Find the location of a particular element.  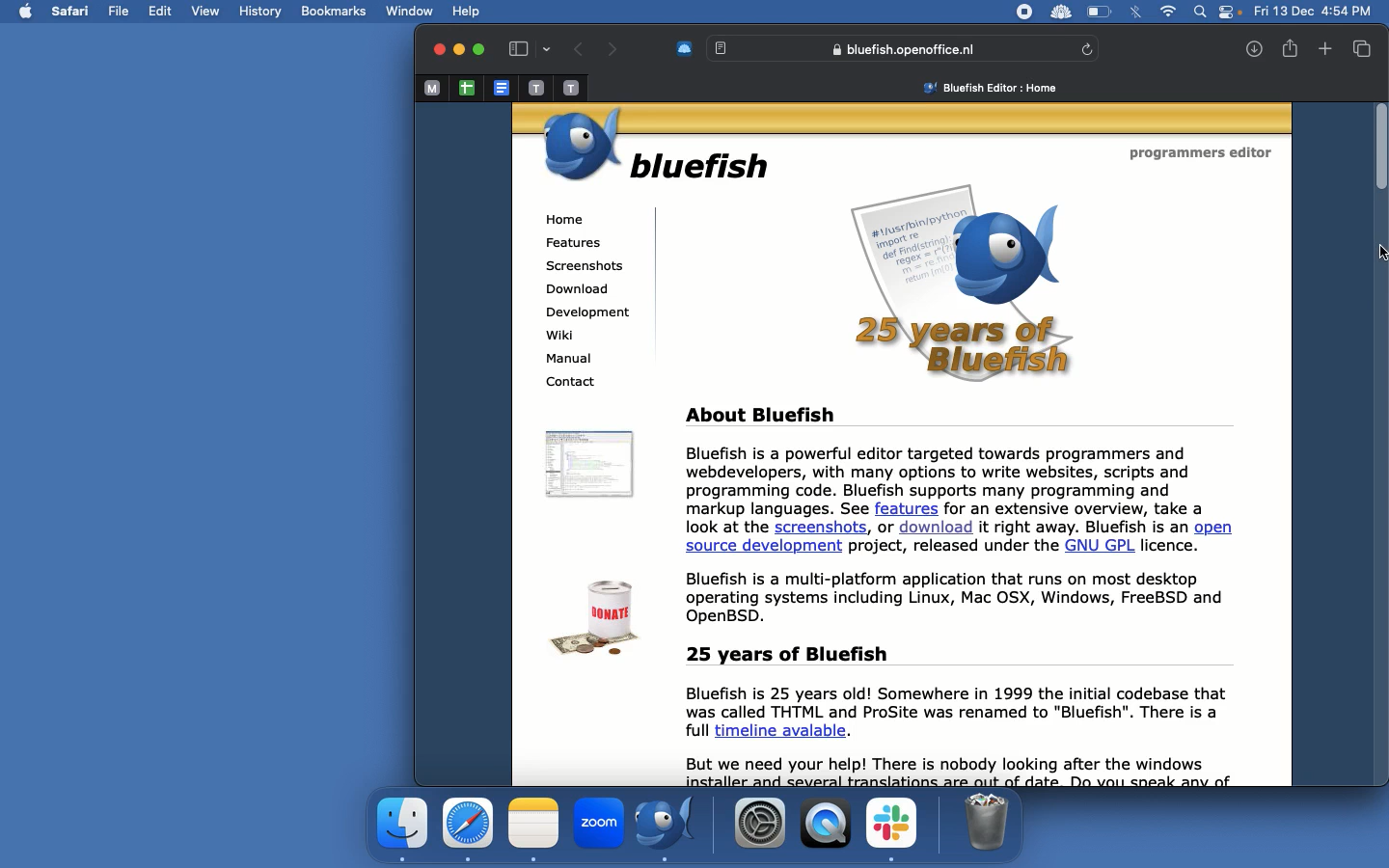

Home is located at coordinates (559, 222).